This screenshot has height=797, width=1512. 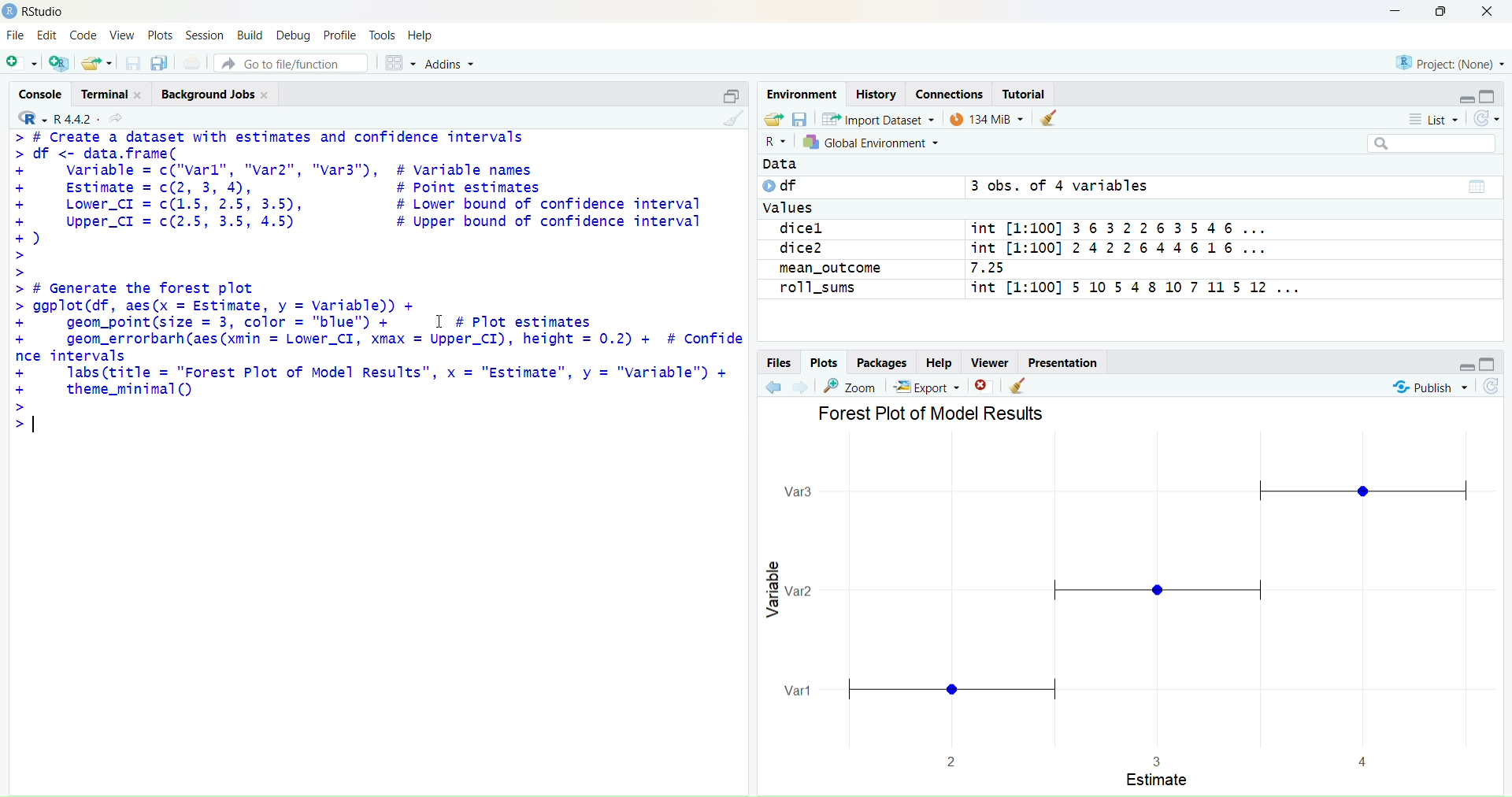 What do you see at coordinates (40, 12) in the screenshot?
I see `RStudio` at bounding box center [40, 12].